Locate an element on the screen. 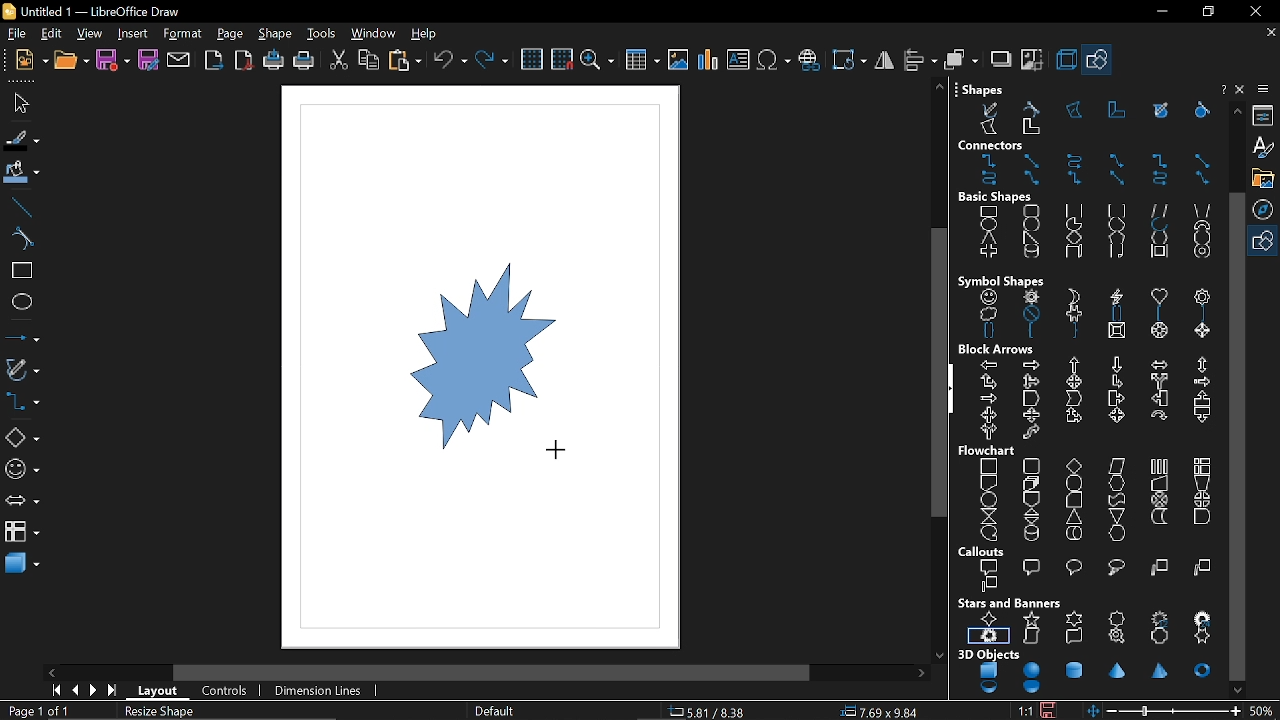 The height and width of the screenshot is (720, 1280). Resize shape is located at coordinates (163, 712).